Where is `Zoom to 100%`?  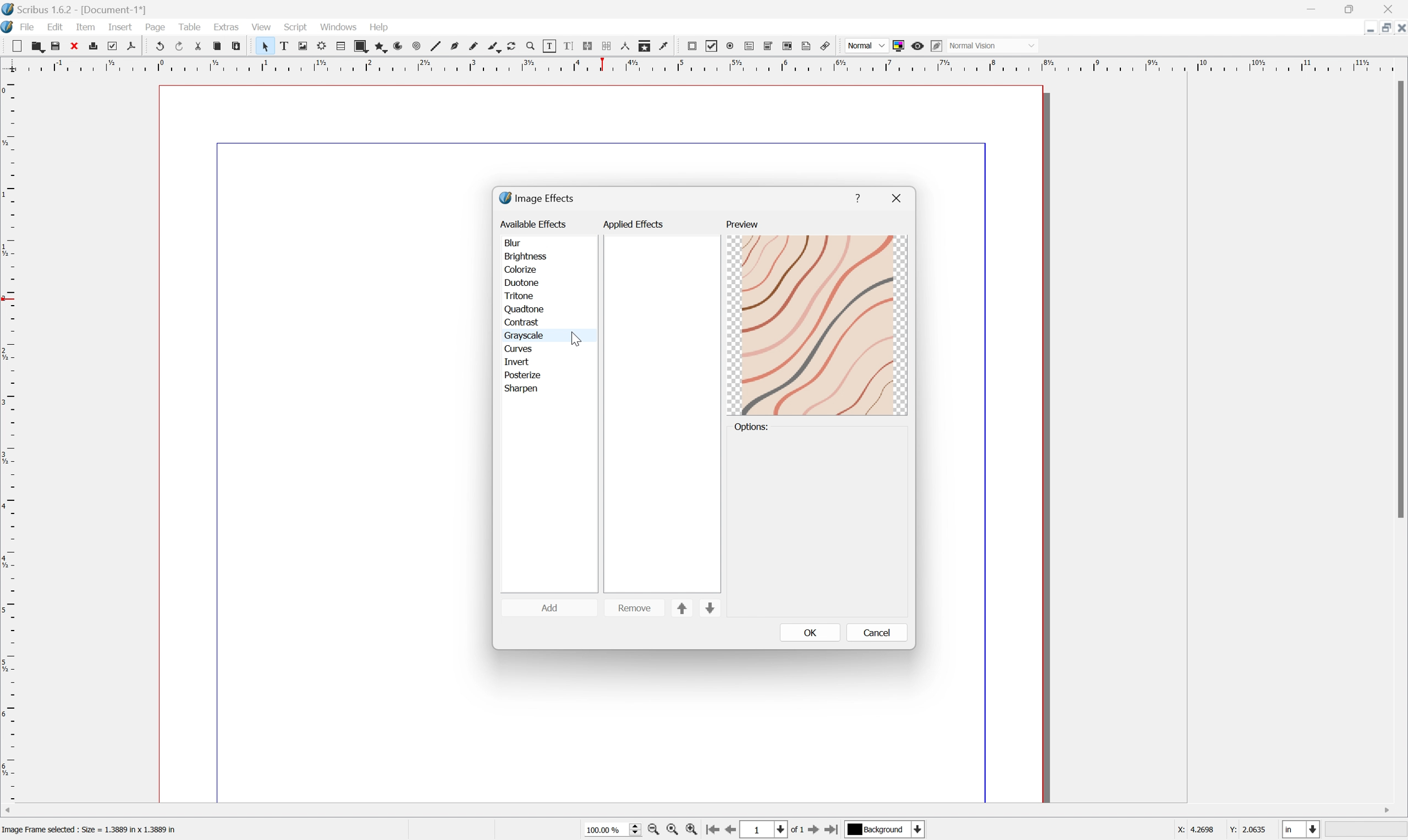 Zoom to 100% is located at coordinates (672, 830).